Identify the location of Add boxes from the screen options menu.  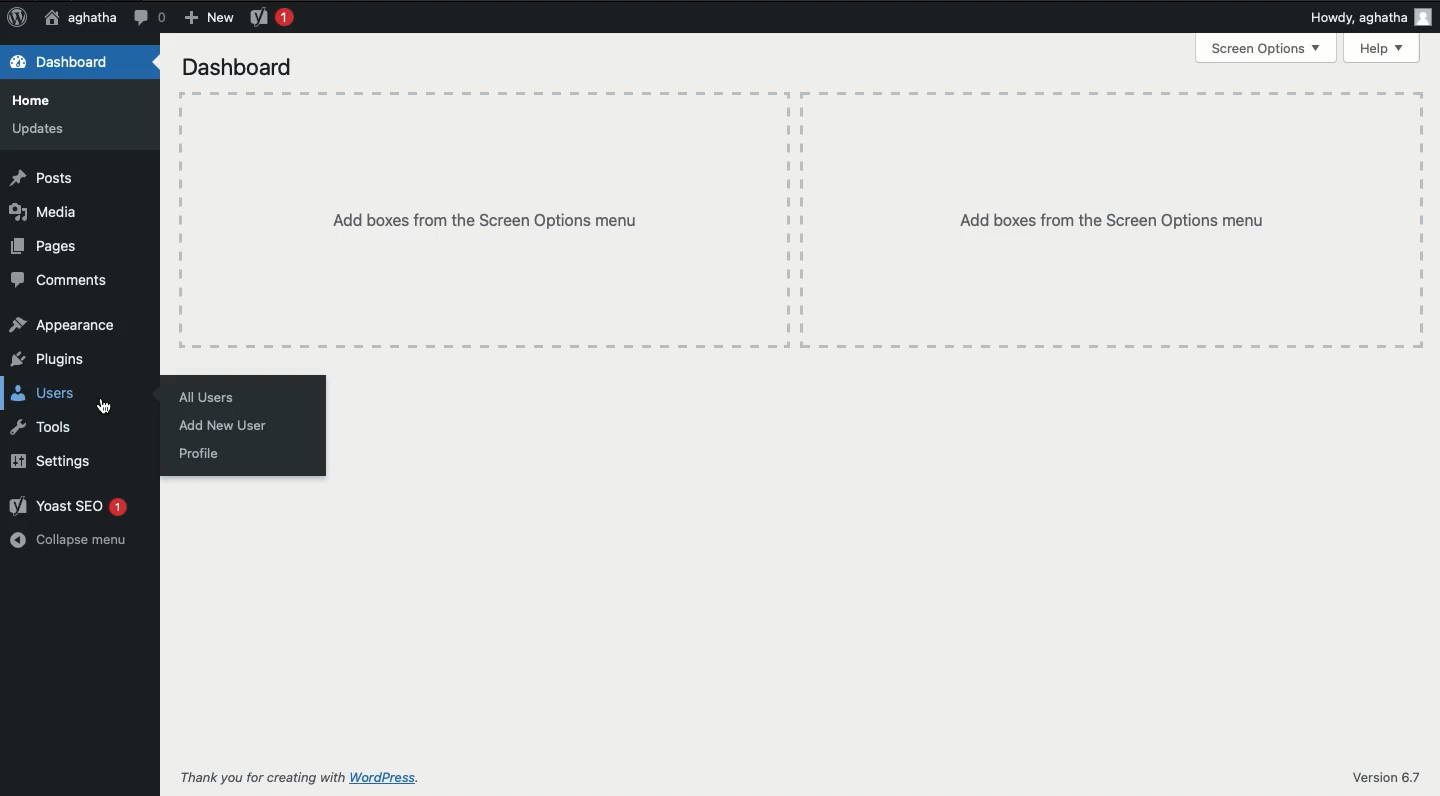
(485, 219).